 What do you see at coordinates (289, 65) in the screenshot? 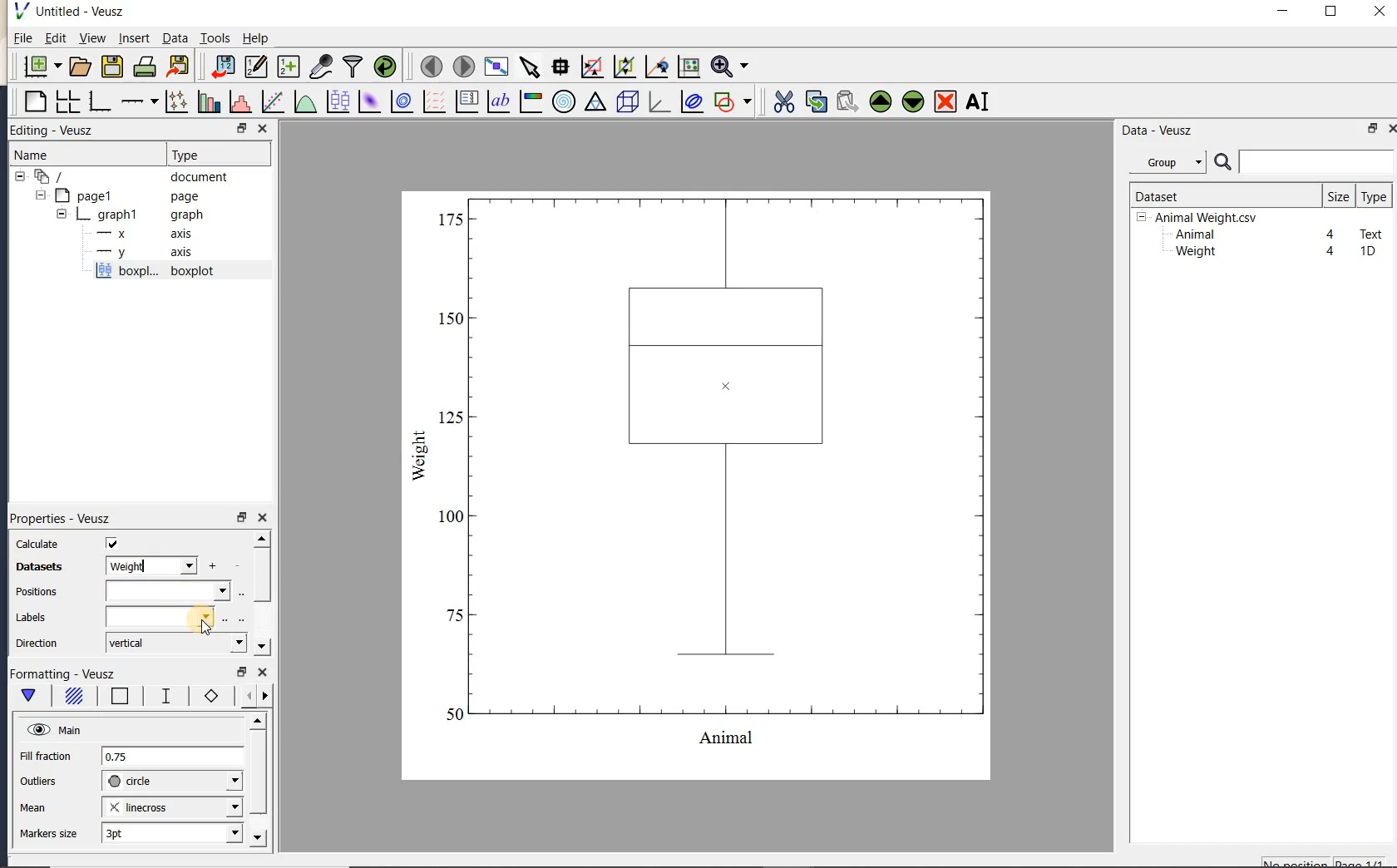
I see `create new datasets` at bounding box center [289, 65].